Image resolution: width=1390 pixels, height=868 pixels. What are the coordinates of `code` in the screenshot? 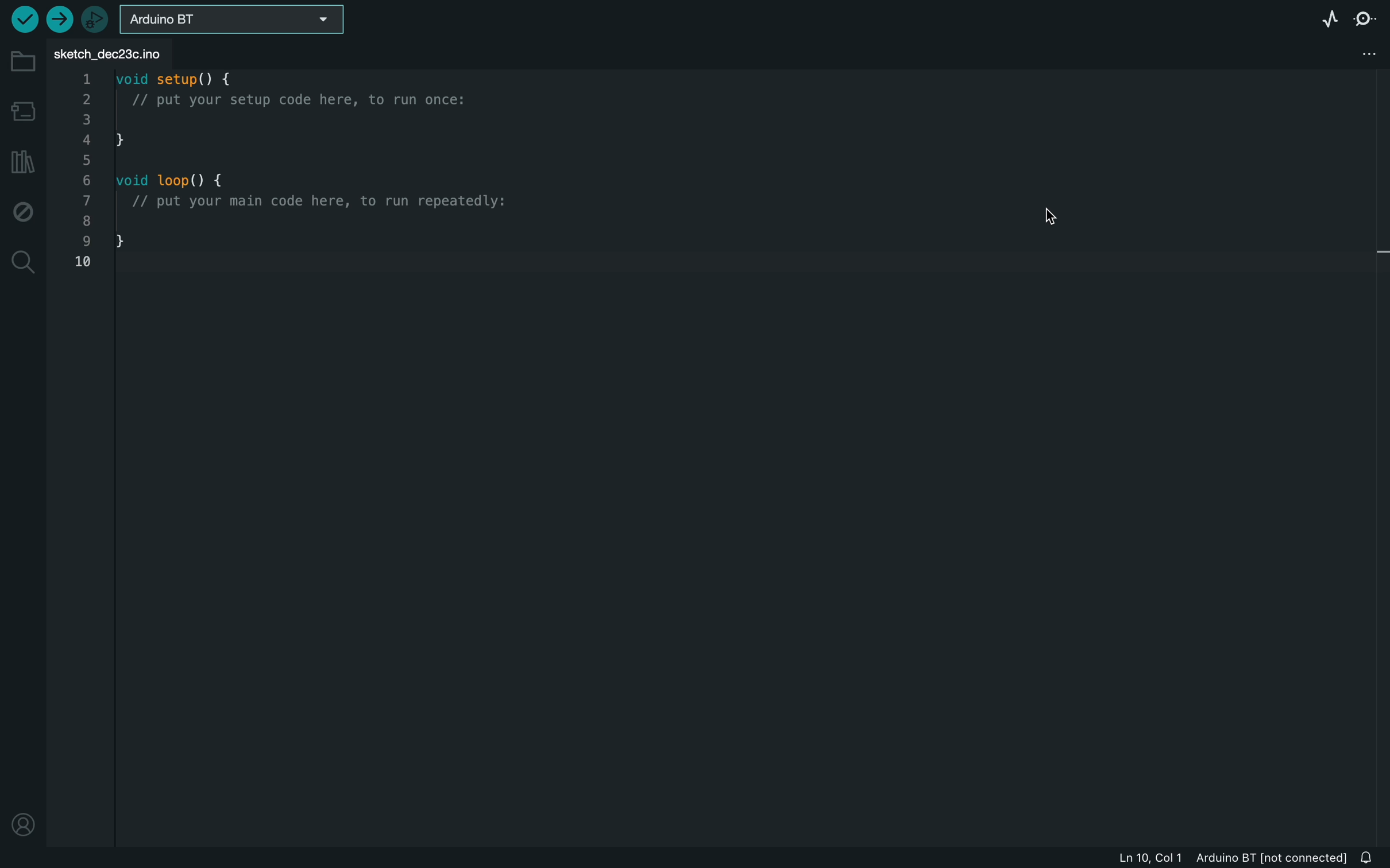 It's located at (300, 172).